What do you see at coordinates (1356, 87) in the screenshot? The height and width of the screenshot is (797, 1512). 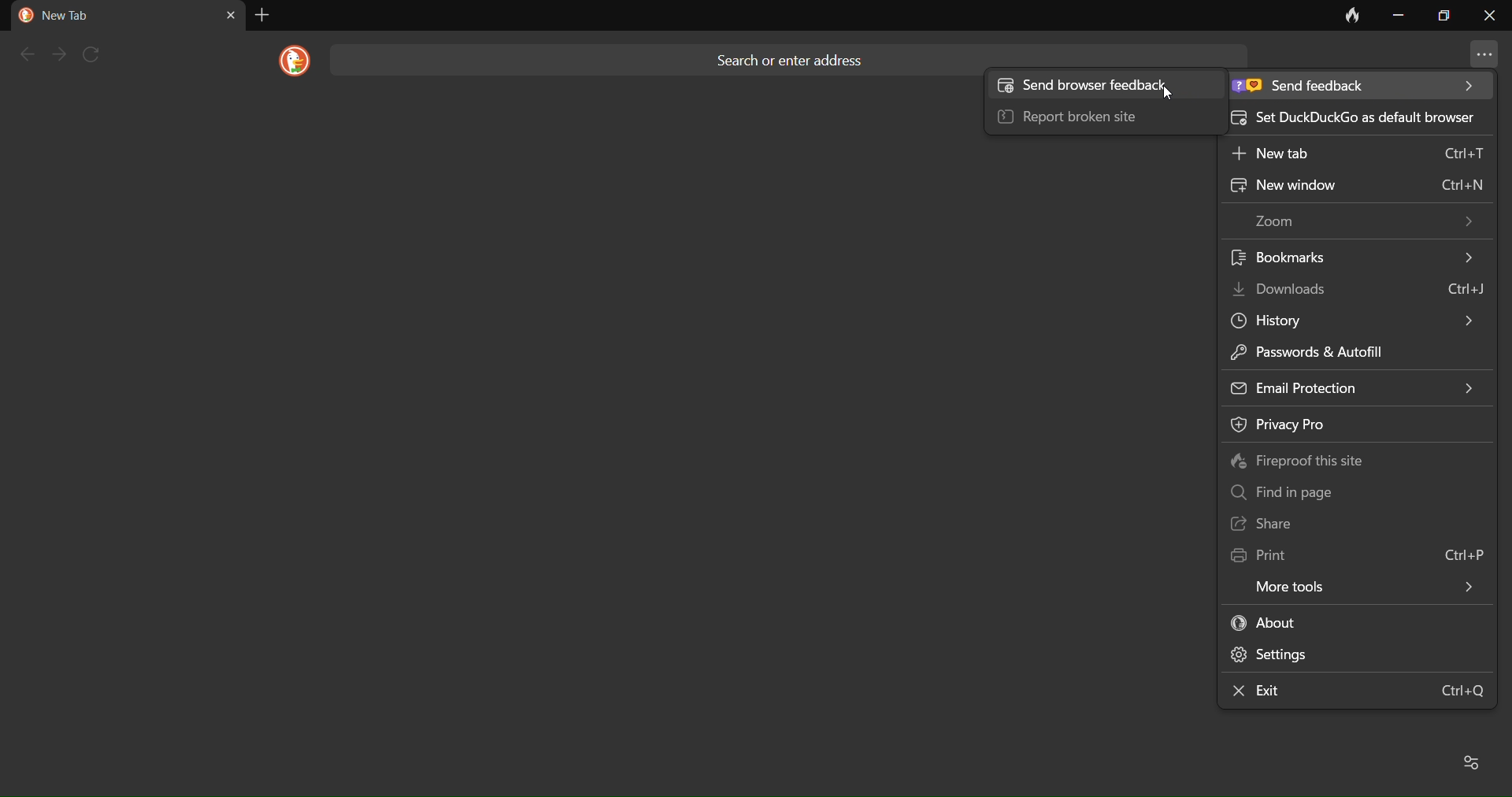 I see `send feedback` at bounding box center [1356, 87].